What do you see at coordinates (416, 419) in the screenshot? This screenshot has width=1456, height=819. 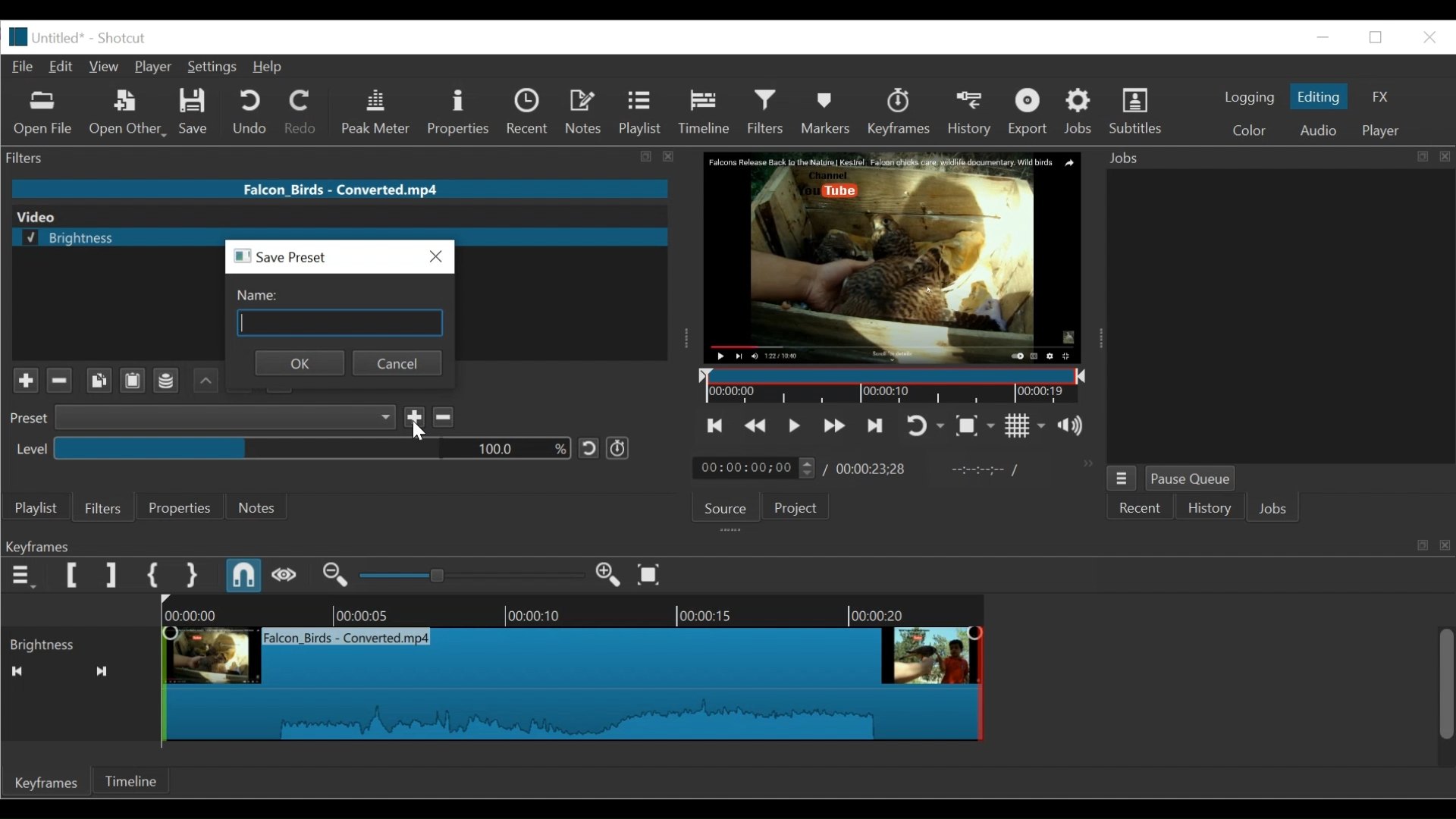 I see `Save ` at bounding box center [416, 419].